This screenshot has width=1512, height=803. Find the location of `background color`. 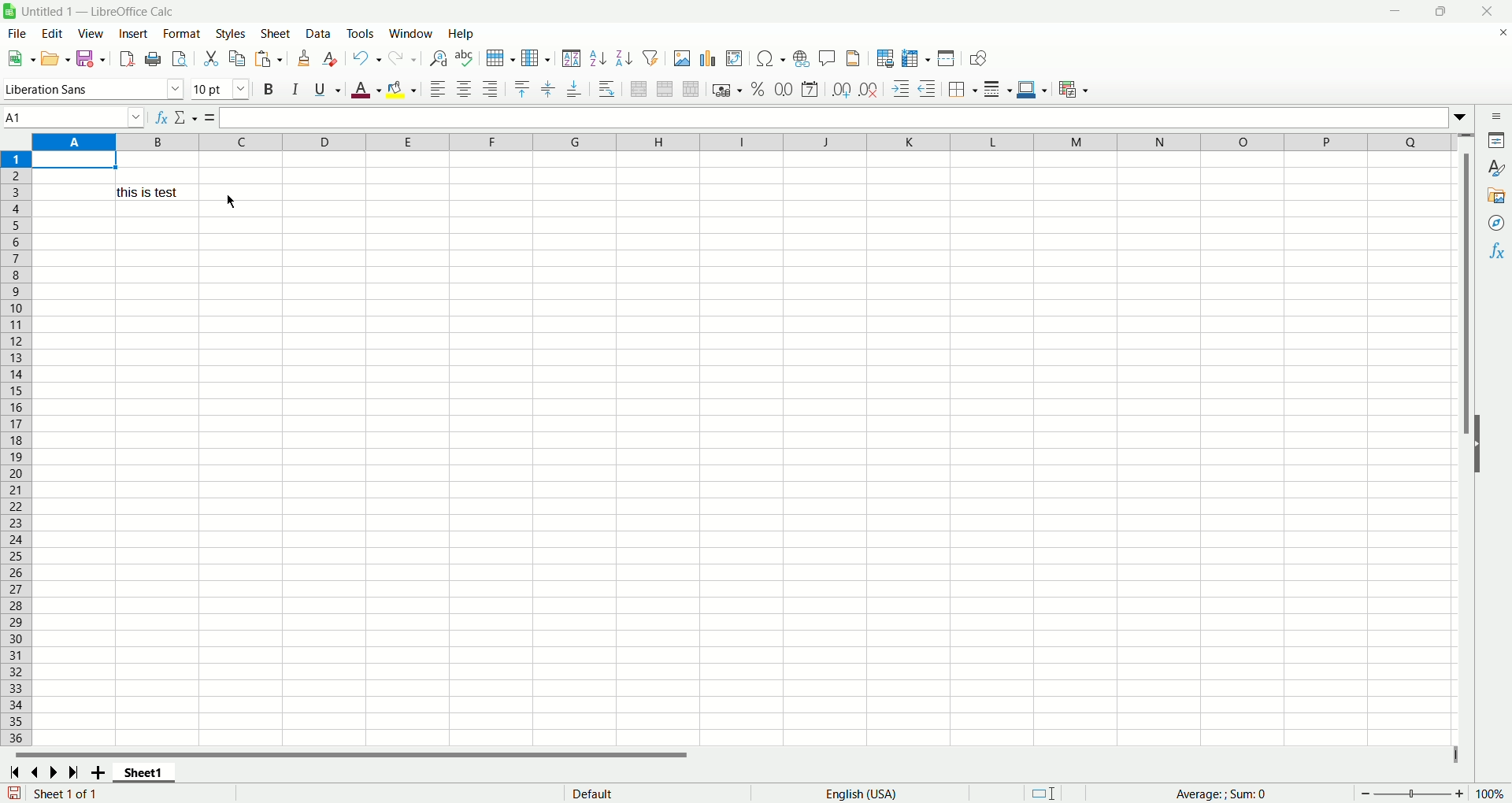

background color is located at coordinates (403, 87).